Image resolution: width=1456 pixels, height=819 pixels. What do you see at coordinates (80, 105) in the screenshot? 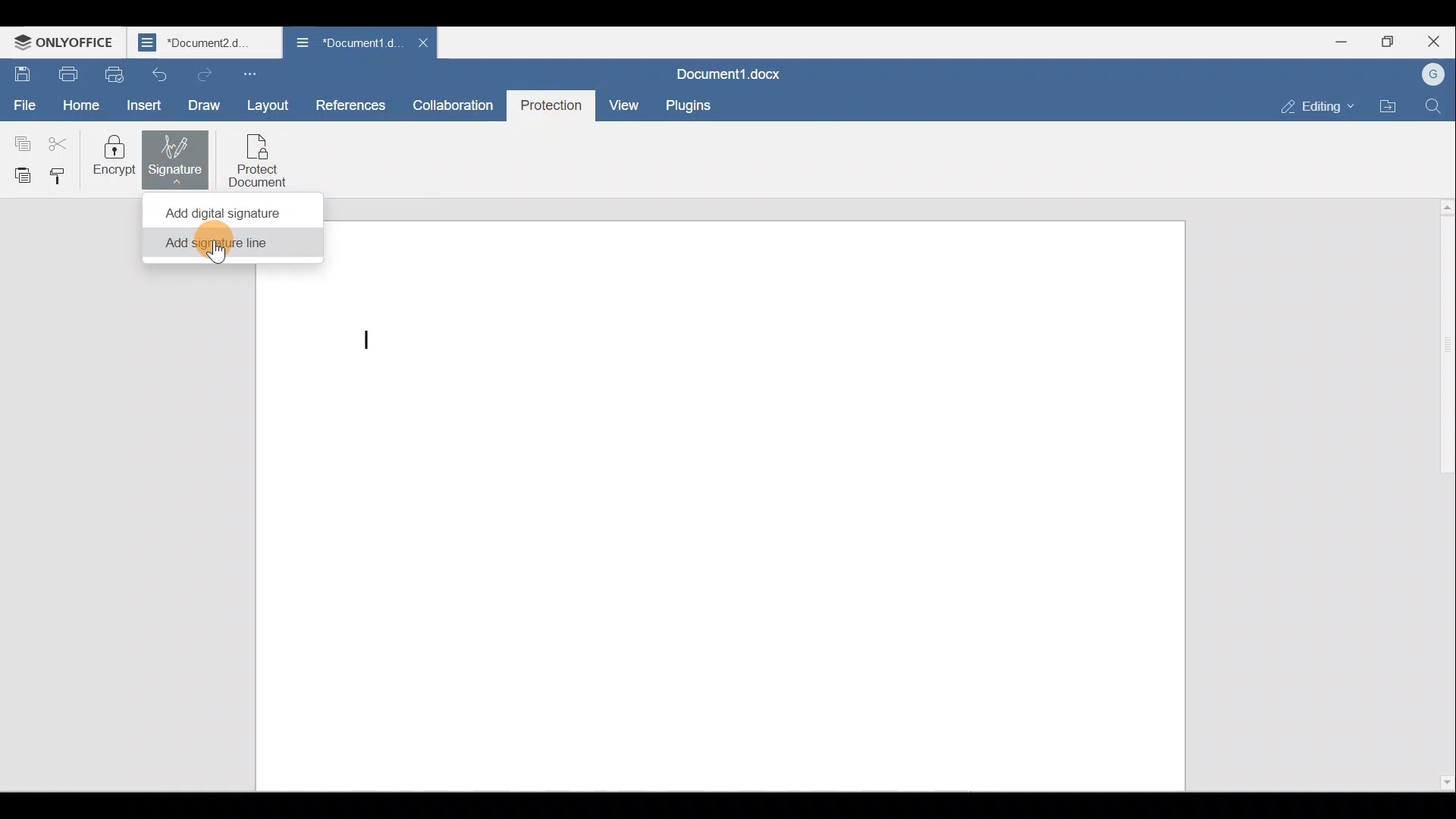
I see `Home` at bounding box center [80, 105].